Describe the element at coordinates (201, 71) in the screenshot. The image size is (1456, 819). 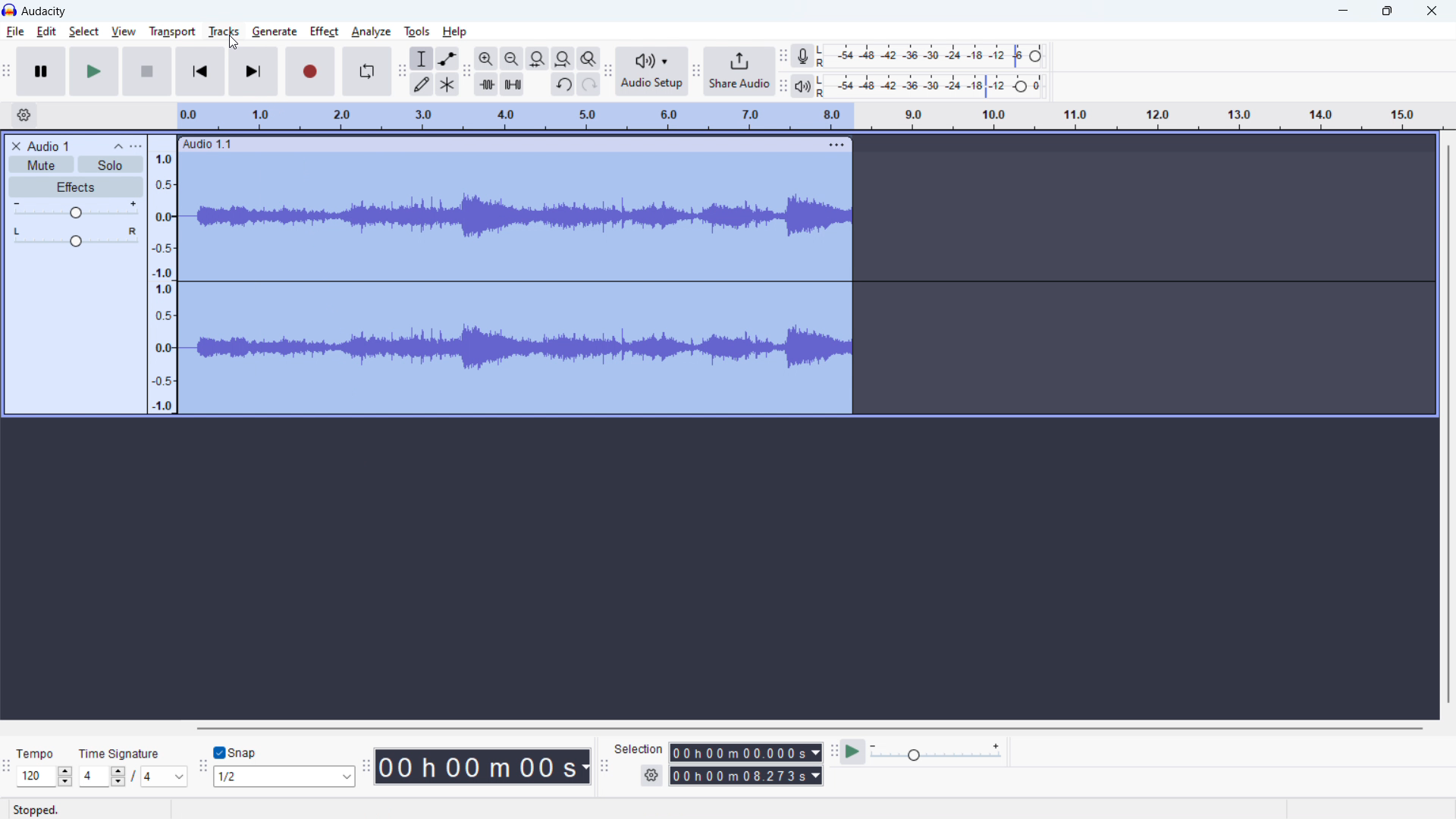
I see `skip to start` at that location.